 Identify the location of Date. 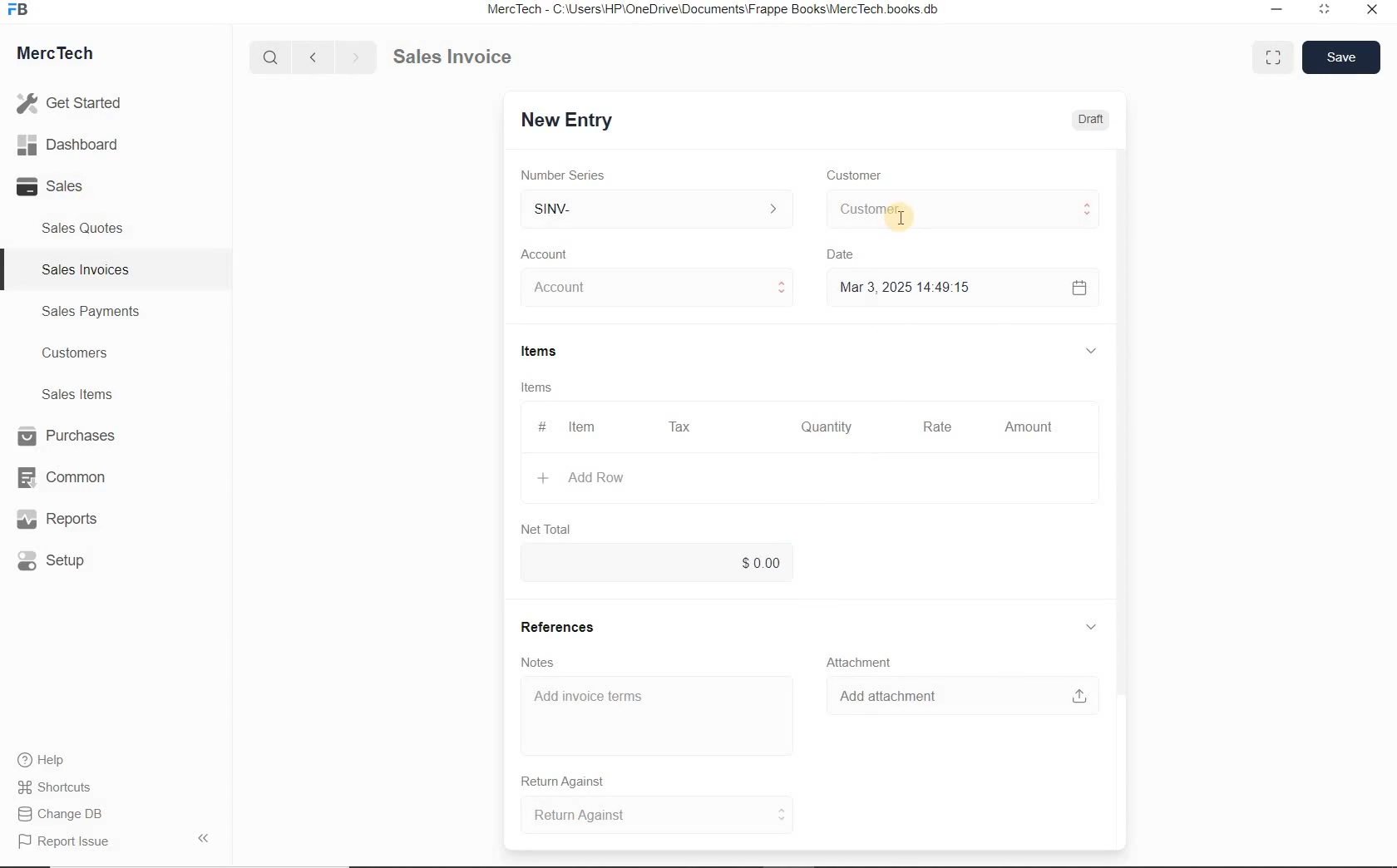
(848, 254).